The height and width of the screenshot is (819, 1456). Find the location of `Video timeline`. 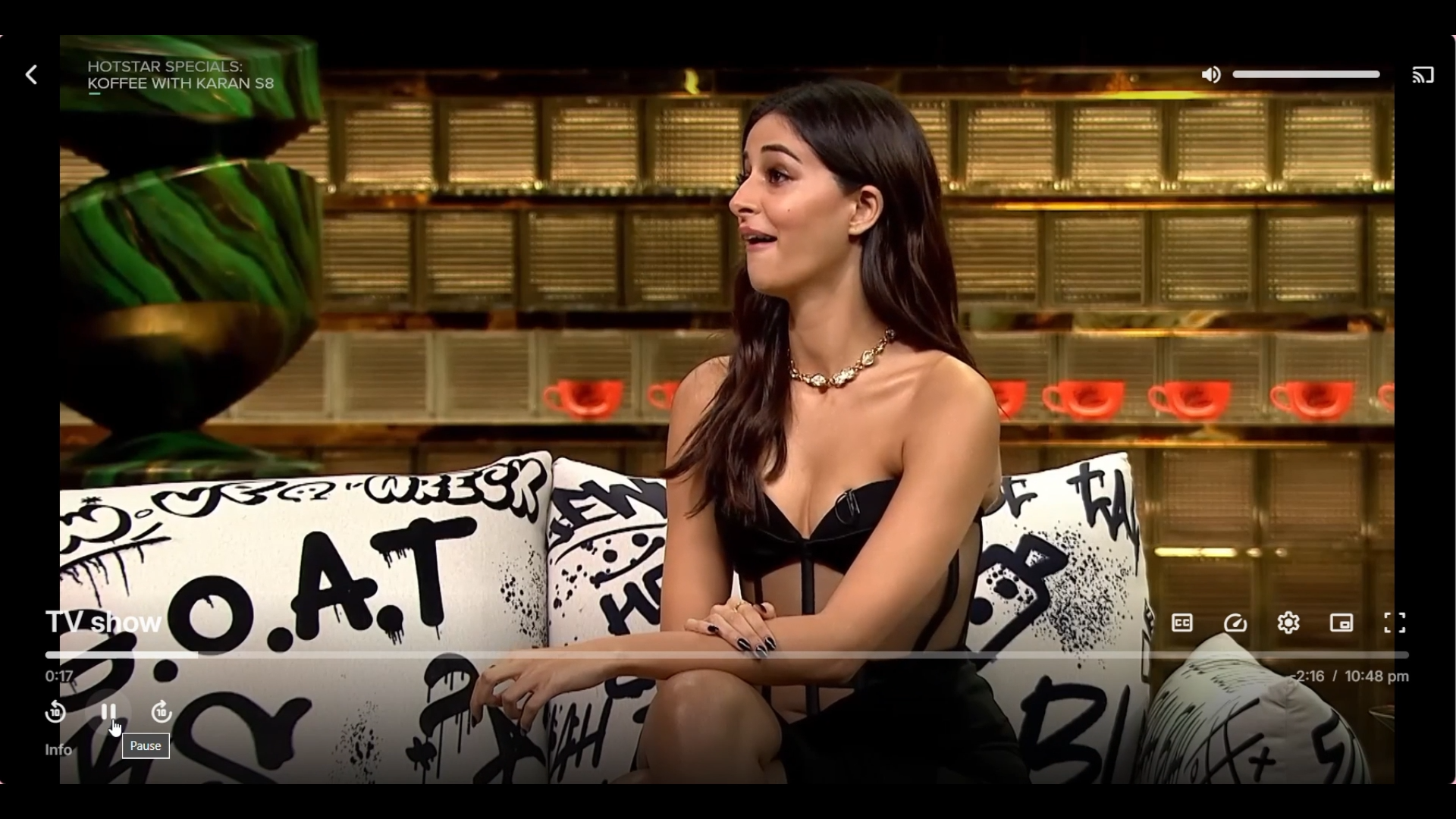

Video timeline is located at coordinates (724, 654).